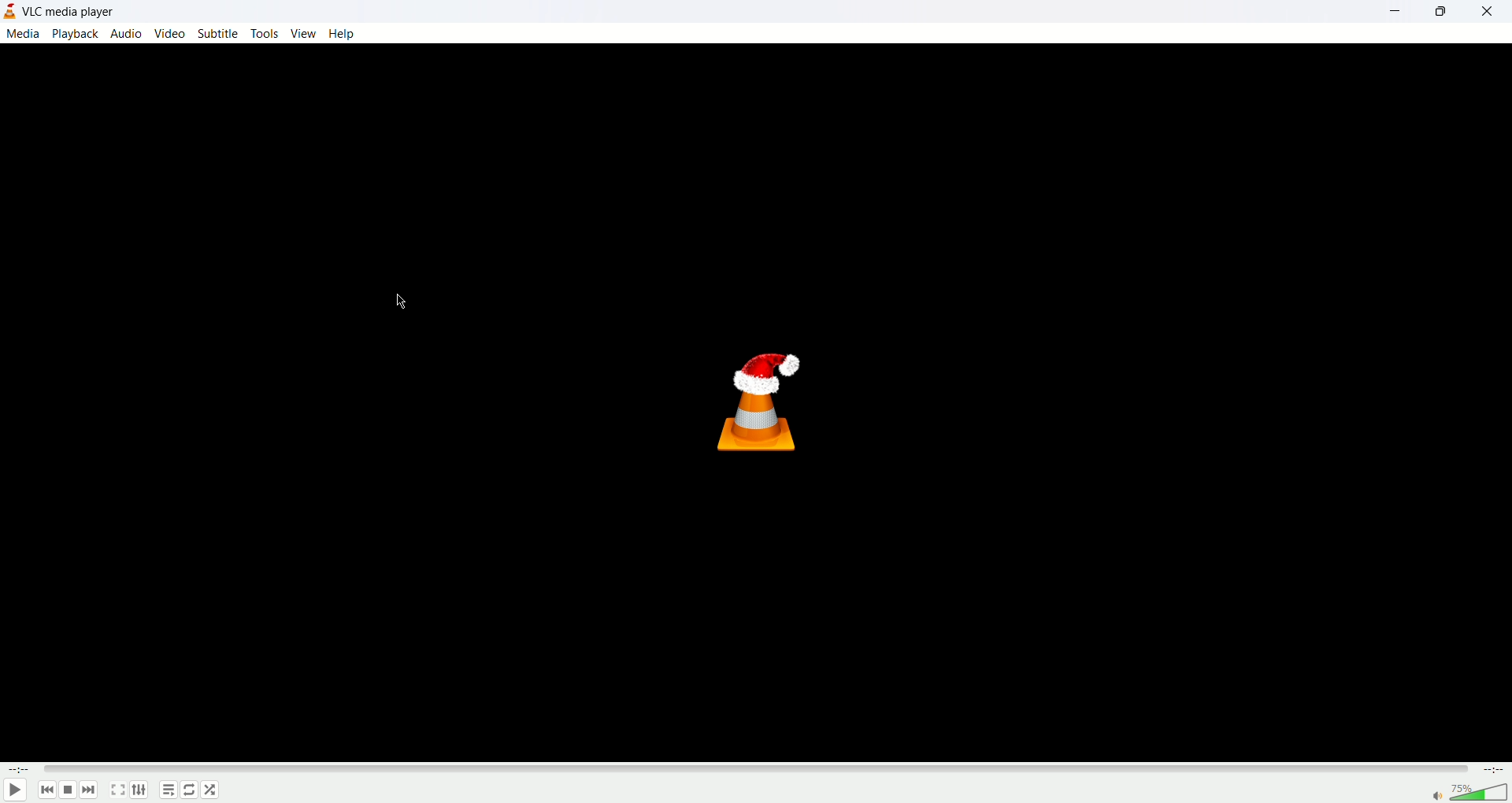  I want to click on application icon, so click(13, 10).